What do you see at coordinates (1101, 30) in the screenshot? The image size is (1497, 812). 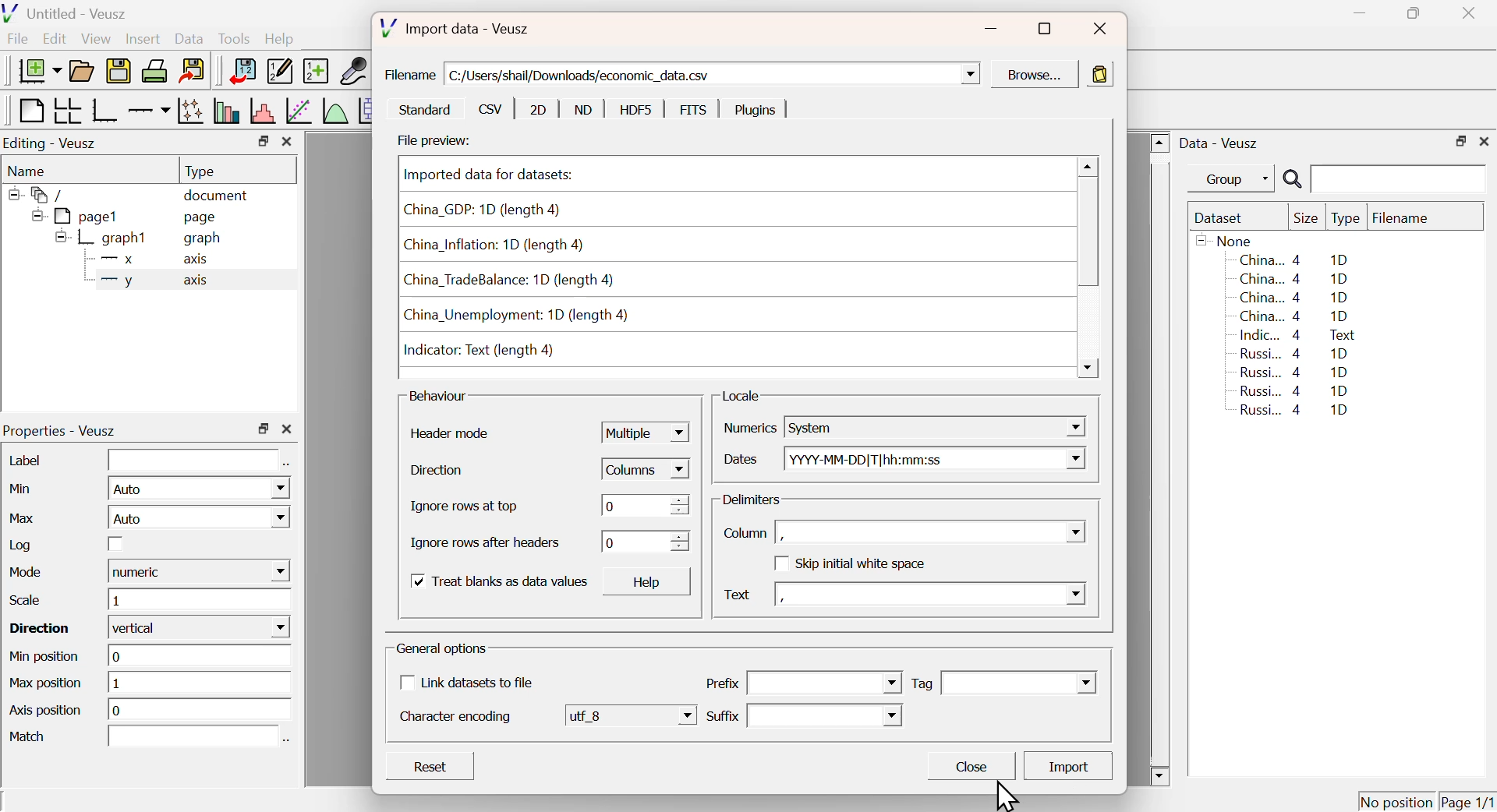 I see `Close` at bounding box center [1101, 30].